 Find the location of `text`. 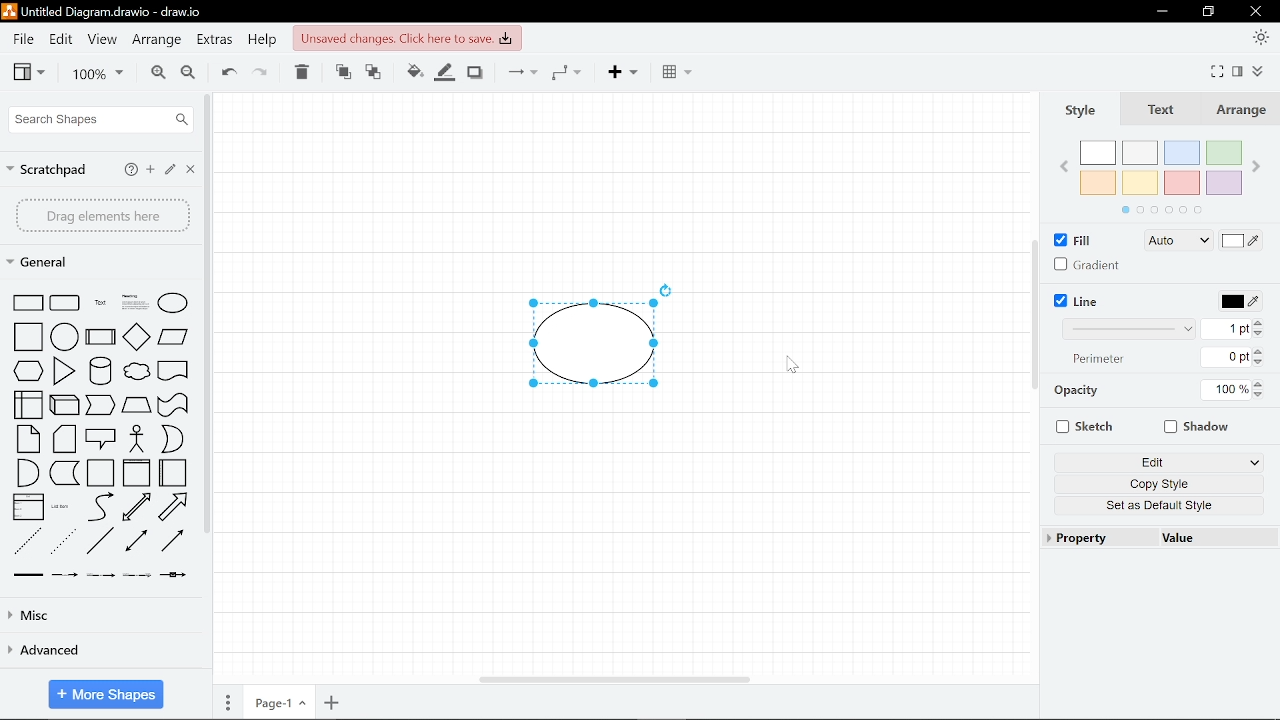

text is located at coordinates (98, 303).